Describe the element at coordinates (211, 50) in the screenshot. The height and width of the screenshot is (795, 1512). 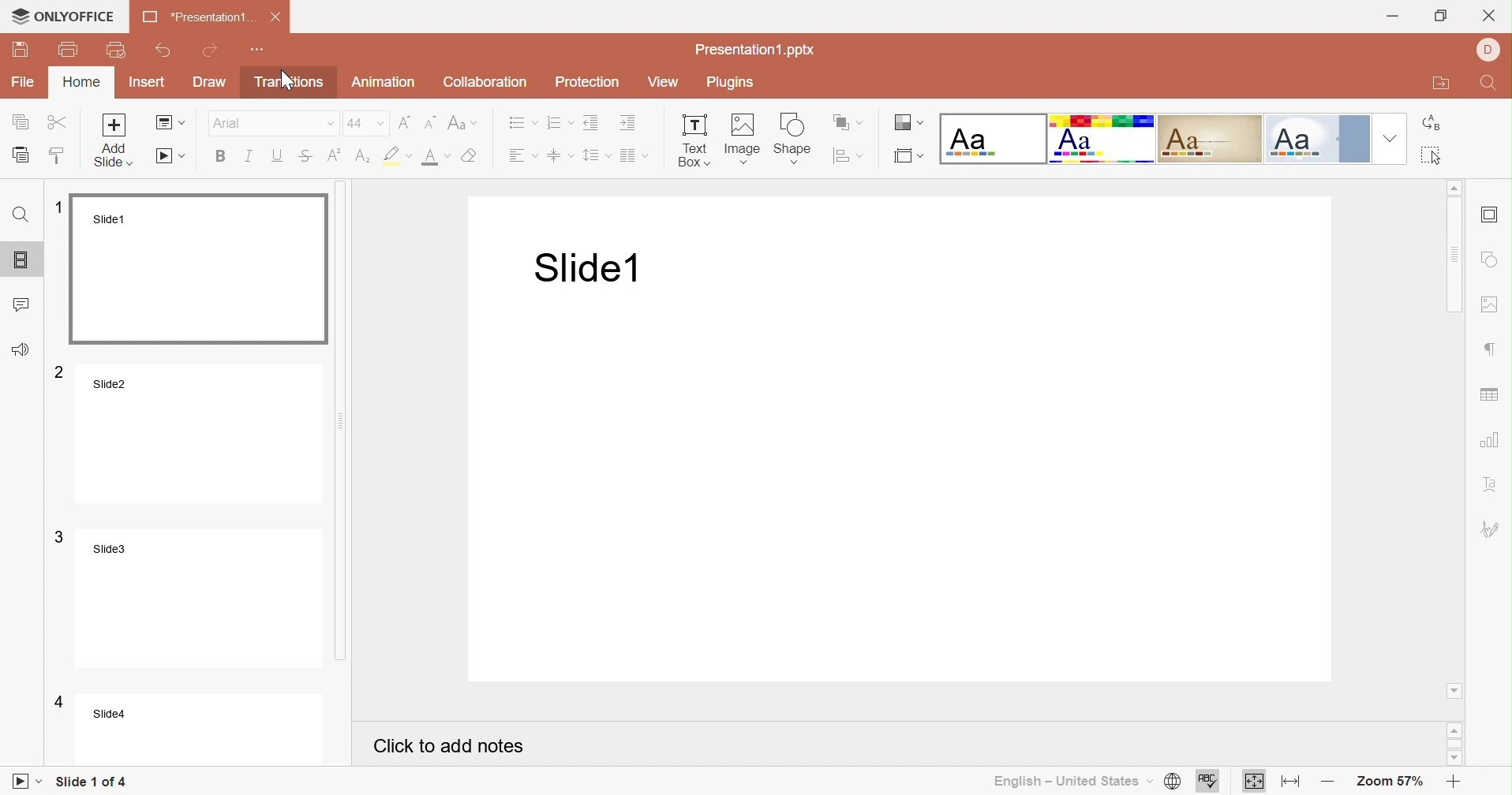
I see `Redo` at that location.